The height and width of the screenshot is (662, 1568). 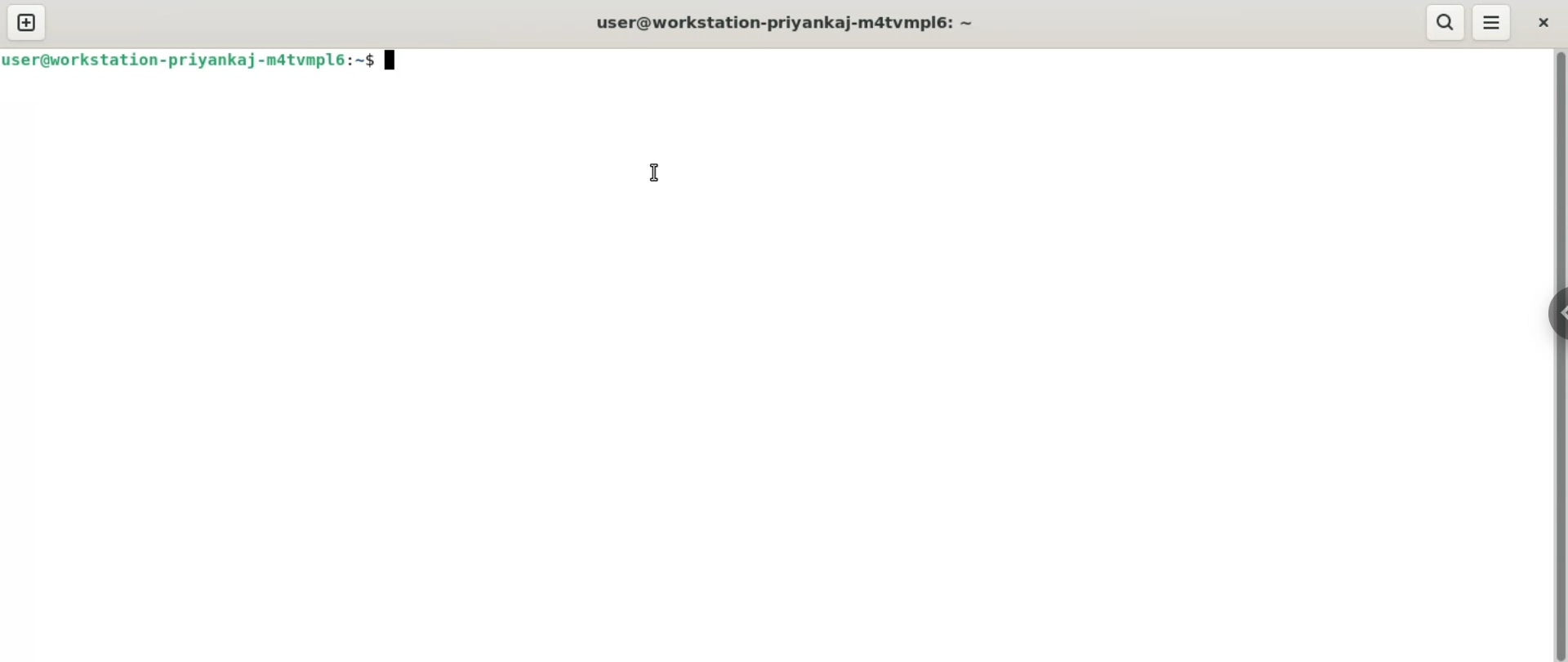 What do you see at coordinates (1445, 22) in the screenshot?
I see `search` at bounding box center [1445, 22].